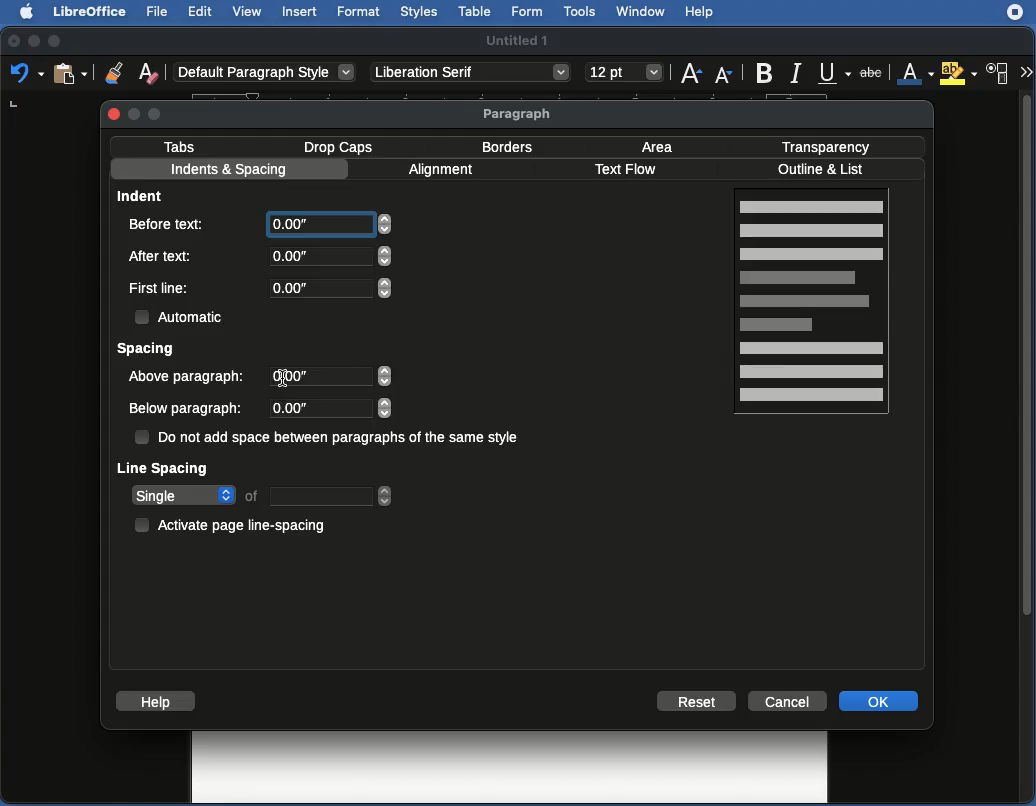  Describe the element at coordinates (326, 408) in the screenshot. I see `0.00"` at that location.